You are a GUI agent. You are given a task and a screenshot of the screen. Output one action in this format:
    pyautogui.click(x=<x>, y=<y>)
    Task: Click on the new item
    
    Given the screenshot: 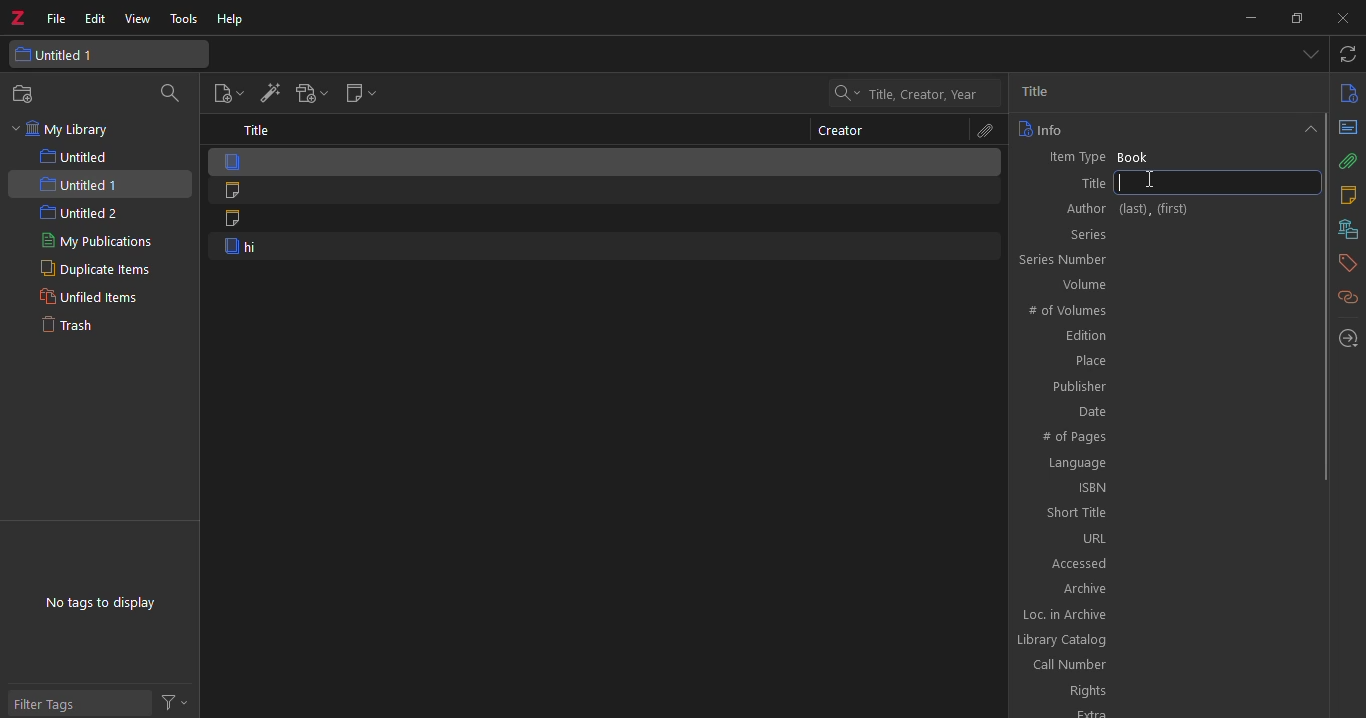 What is the action you would take?
    pyautogui.click(x=225, y=94)
    